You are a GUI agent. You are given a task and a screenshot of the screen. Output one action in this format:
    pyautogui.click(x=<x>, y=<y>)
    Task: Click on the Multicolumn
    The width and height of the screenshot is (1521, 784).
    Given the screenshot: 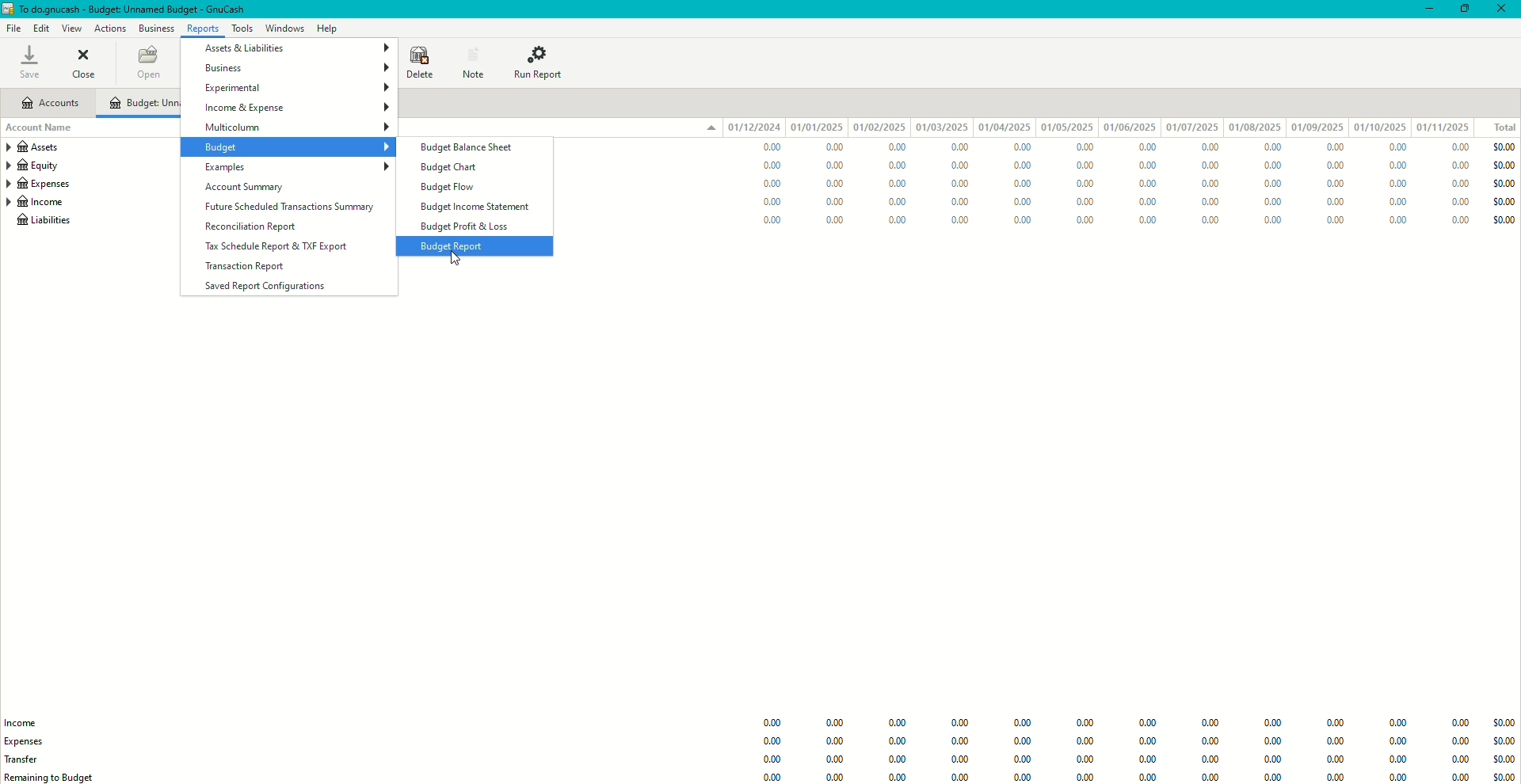 What is the action you would take?
    pyautogui.click(x=300, y=127)
    